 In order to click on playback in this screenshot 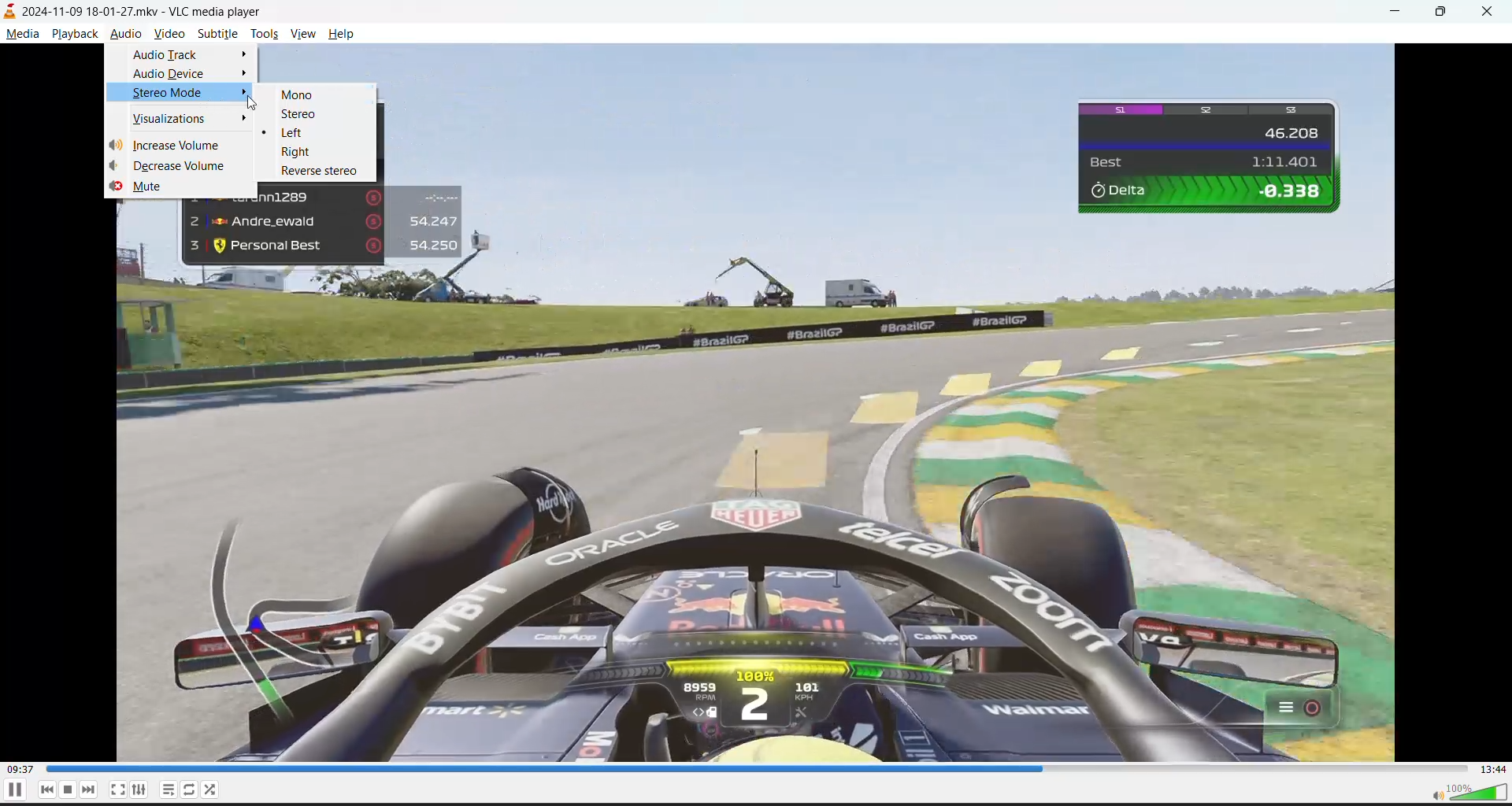, I will do `click(73, 35)`.